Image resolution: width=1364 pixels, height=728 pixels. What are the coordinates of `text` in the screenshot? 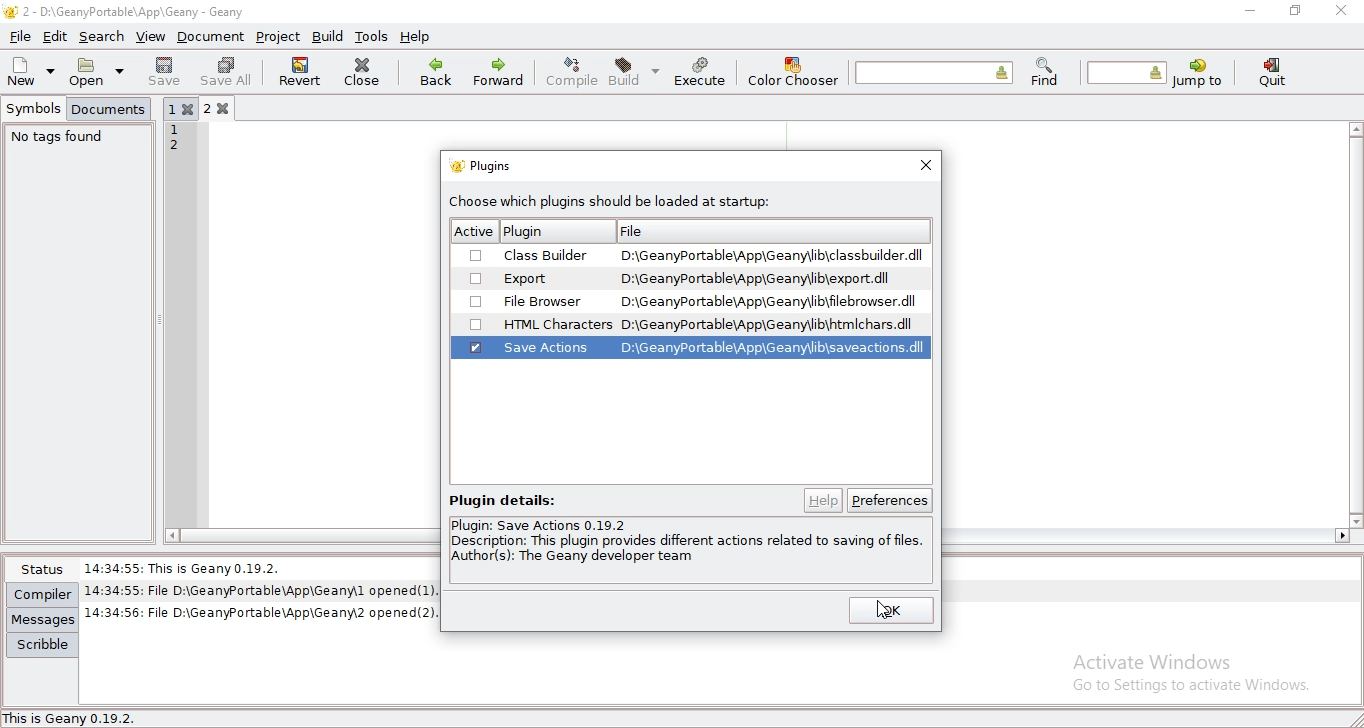 It's located at (500, 499).